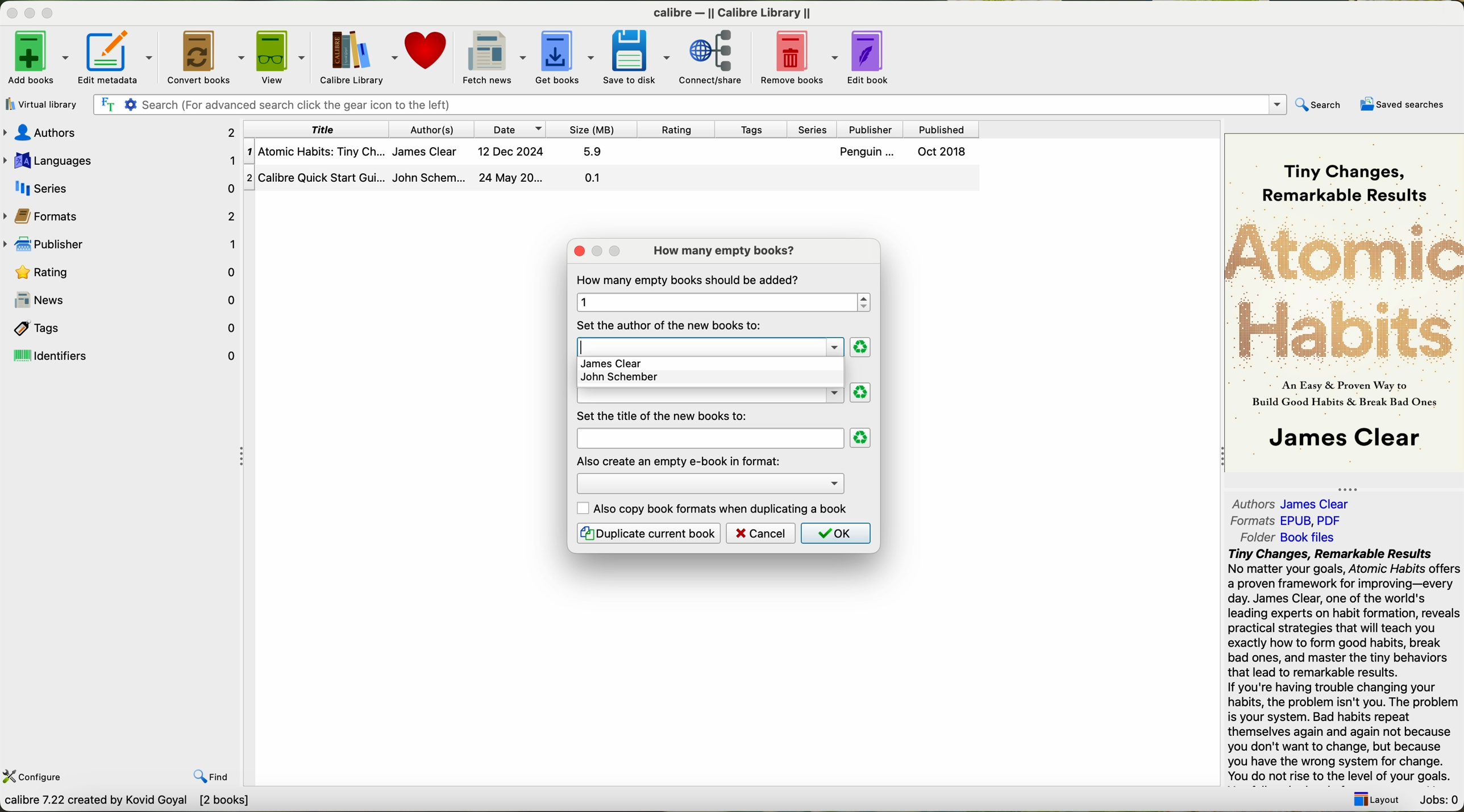 This screenshot has width=1464, height=812. I want to click on minimize program, so click(28, 11).